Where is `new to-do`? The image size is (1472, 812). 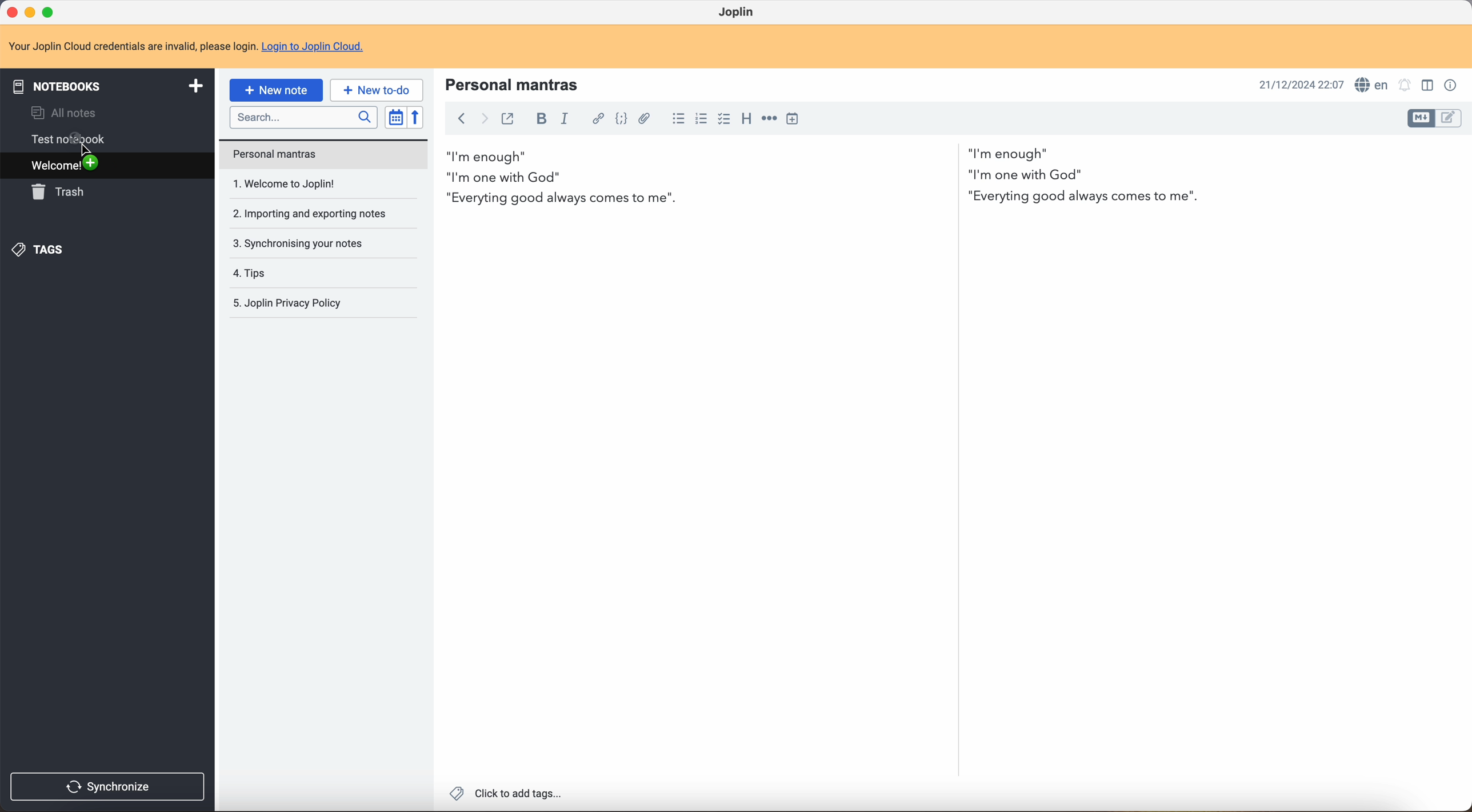 new to-do is located at coordinates (376, 89).